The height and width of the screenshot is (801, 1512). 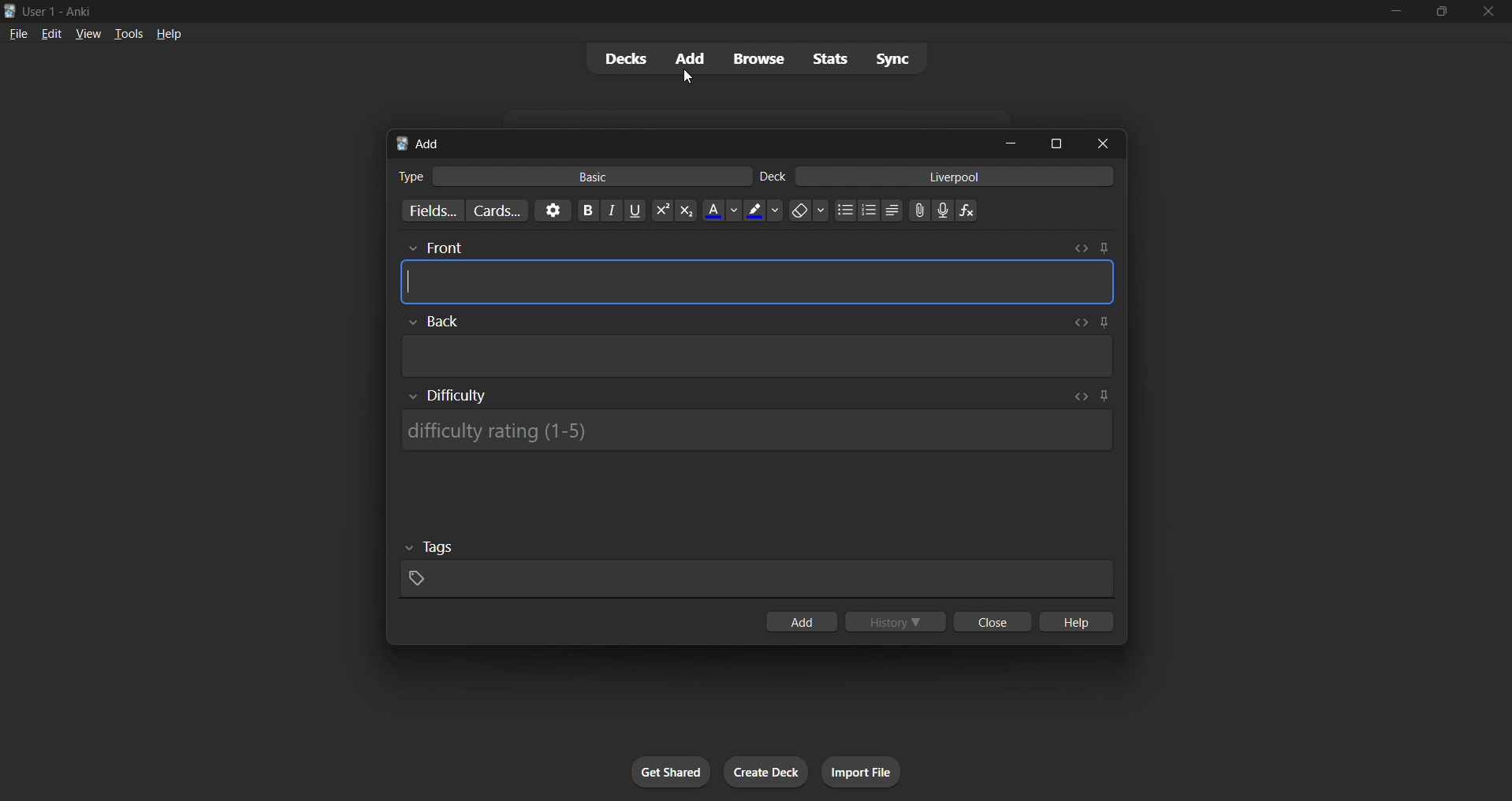 I want to click on close, so click(x=1489, y=12).